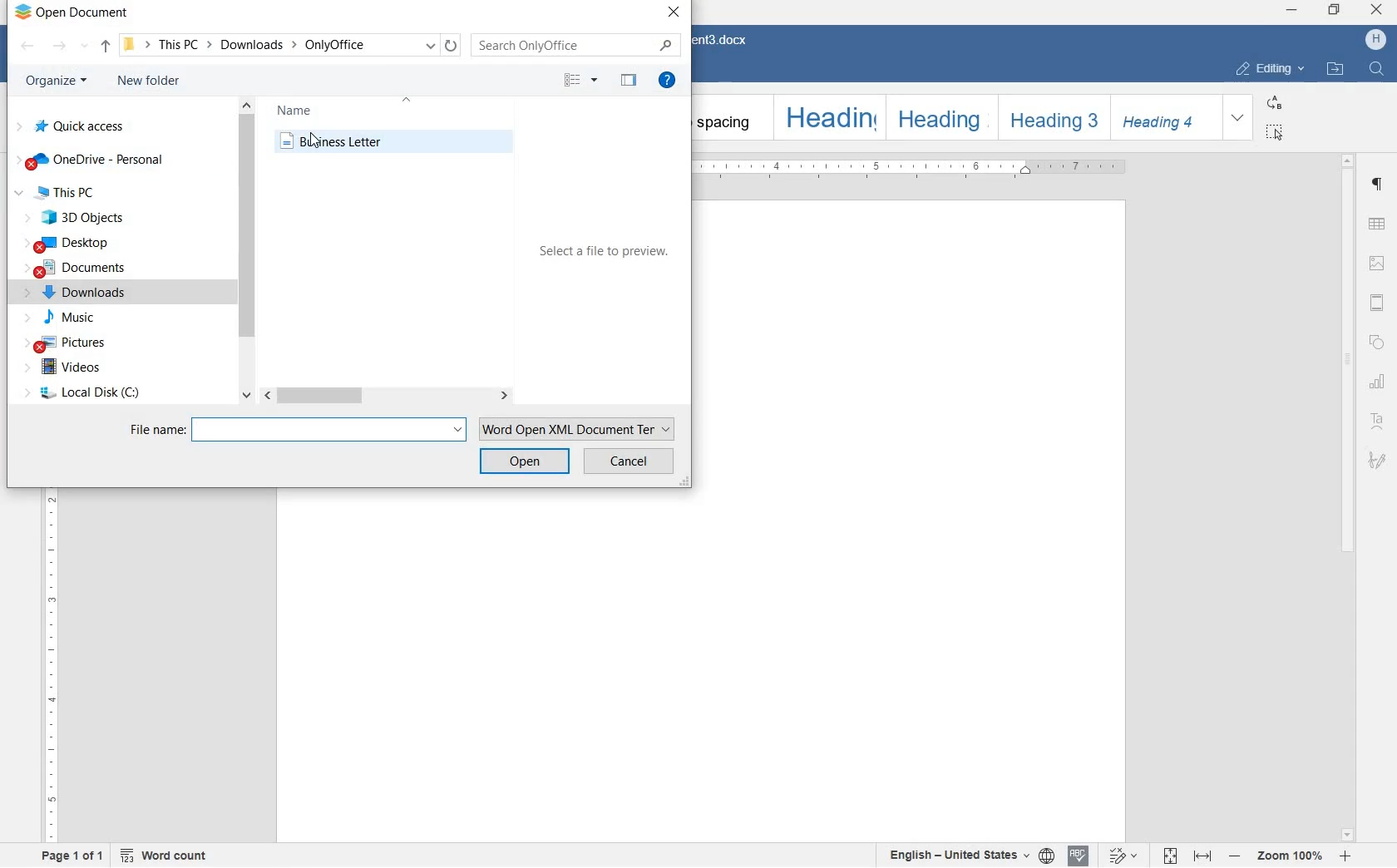 The height and width of the screenshot is (868, 1397). What do you see at coordinates (81, 126) in the screenshot?
I see `quick access` at bounding box center [81, 126].